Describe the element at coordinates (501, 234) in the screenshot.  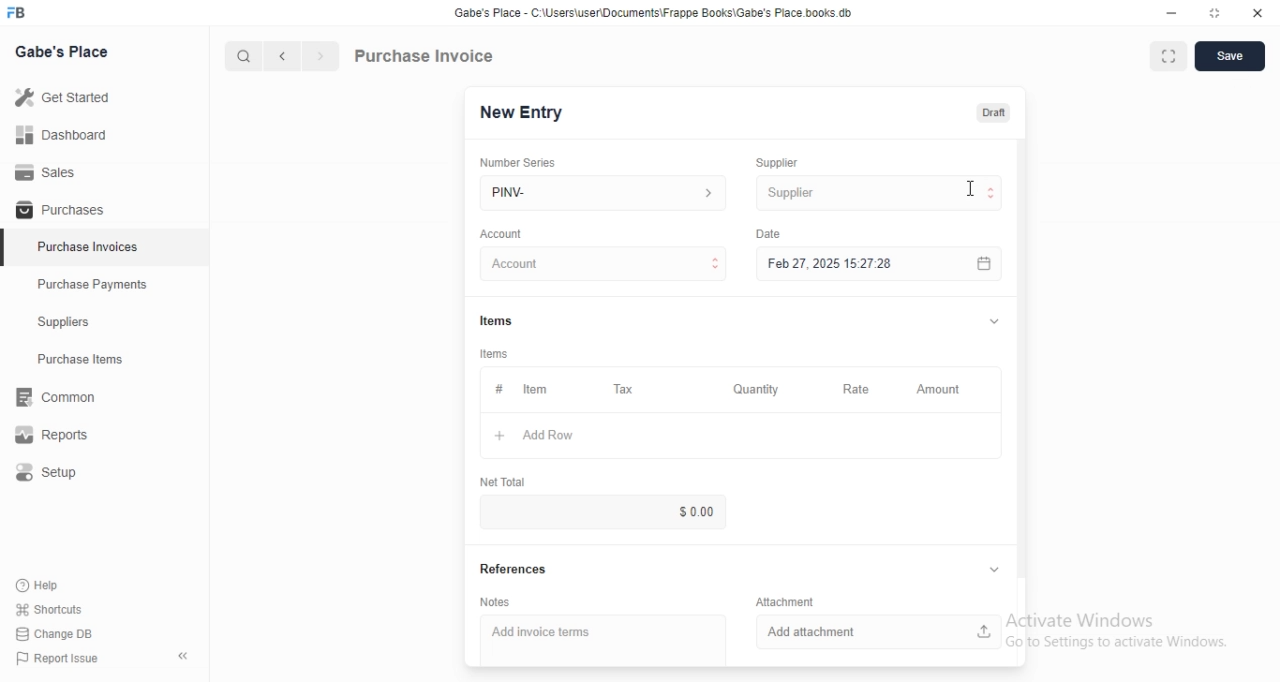
I see `Account` at that location.